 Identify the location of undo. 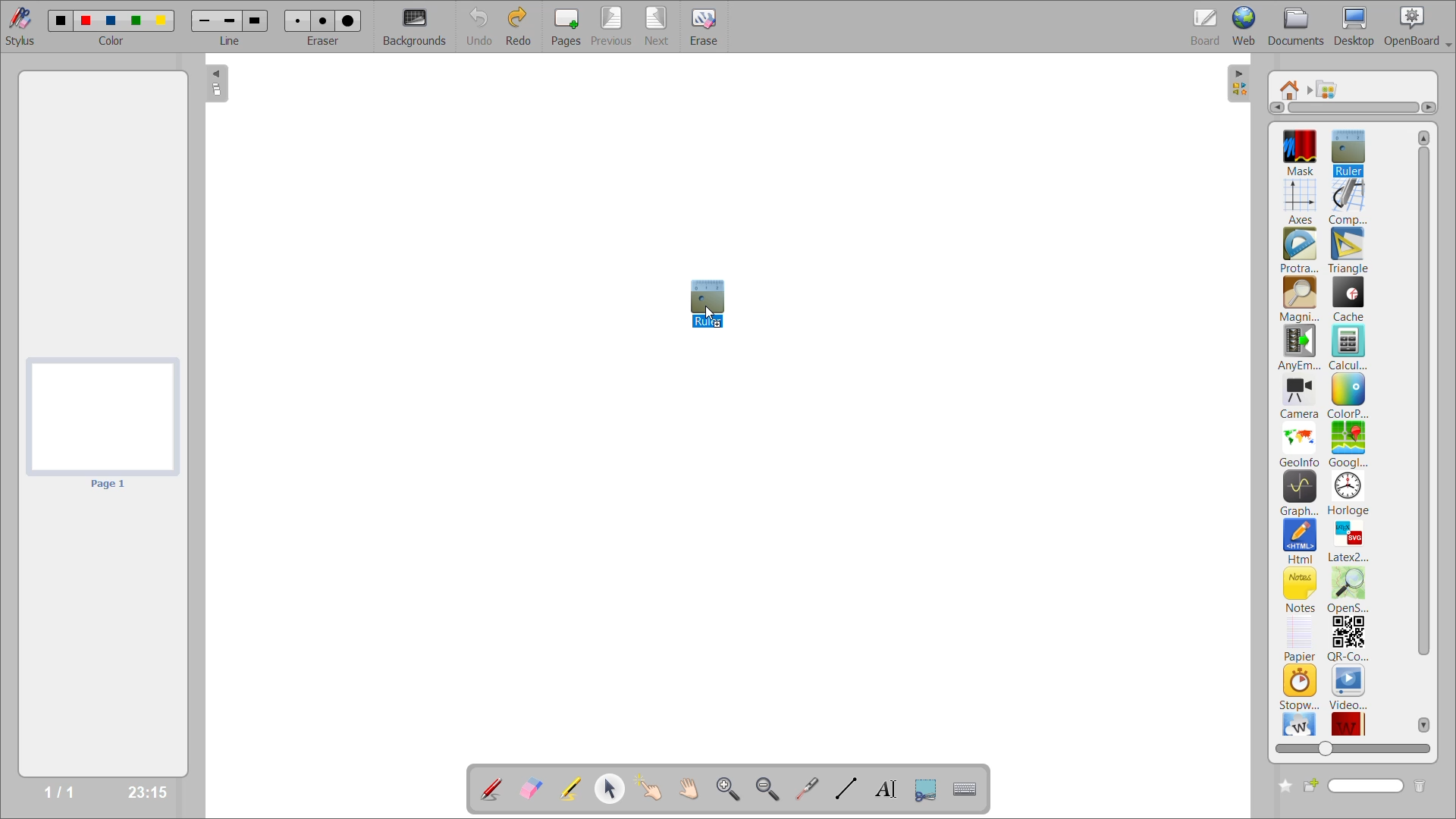
(481, 25).